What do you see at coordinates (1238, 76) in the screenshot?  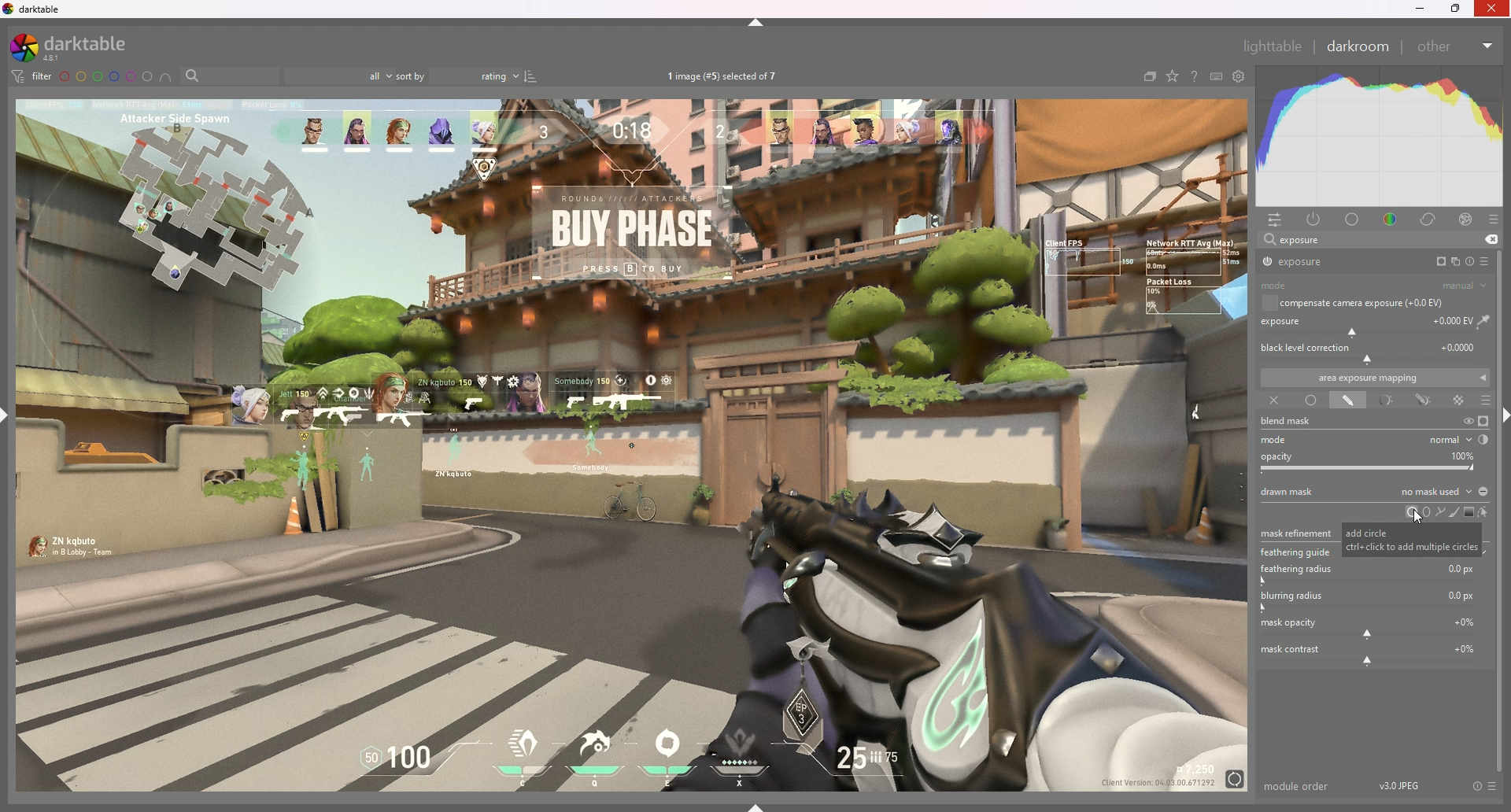 I see `show global preference` at bounding box center [1238, 76].